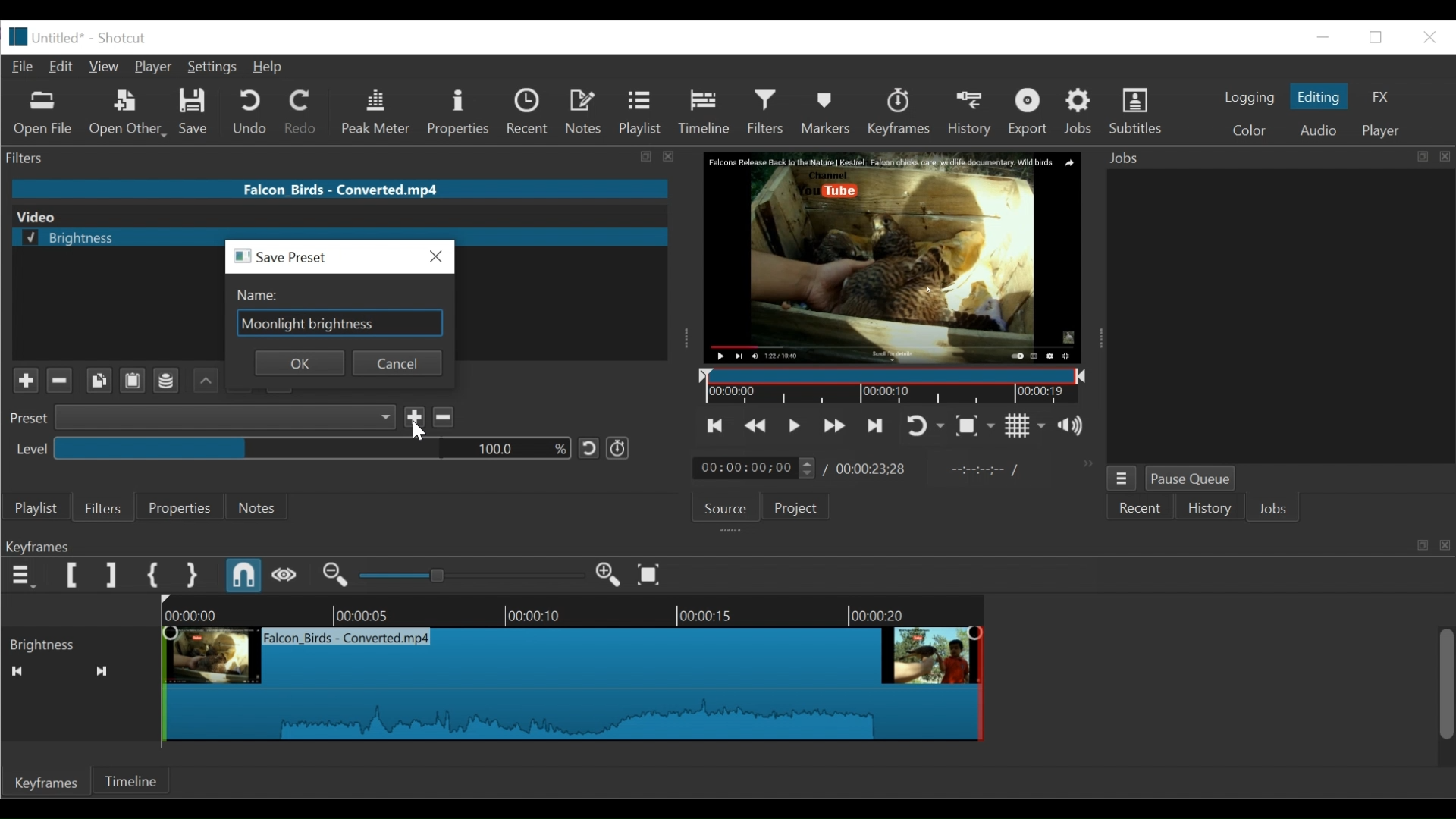  Describe the element at coordinates (1321, 130) in the screenshot. I see `Audio` at that location.